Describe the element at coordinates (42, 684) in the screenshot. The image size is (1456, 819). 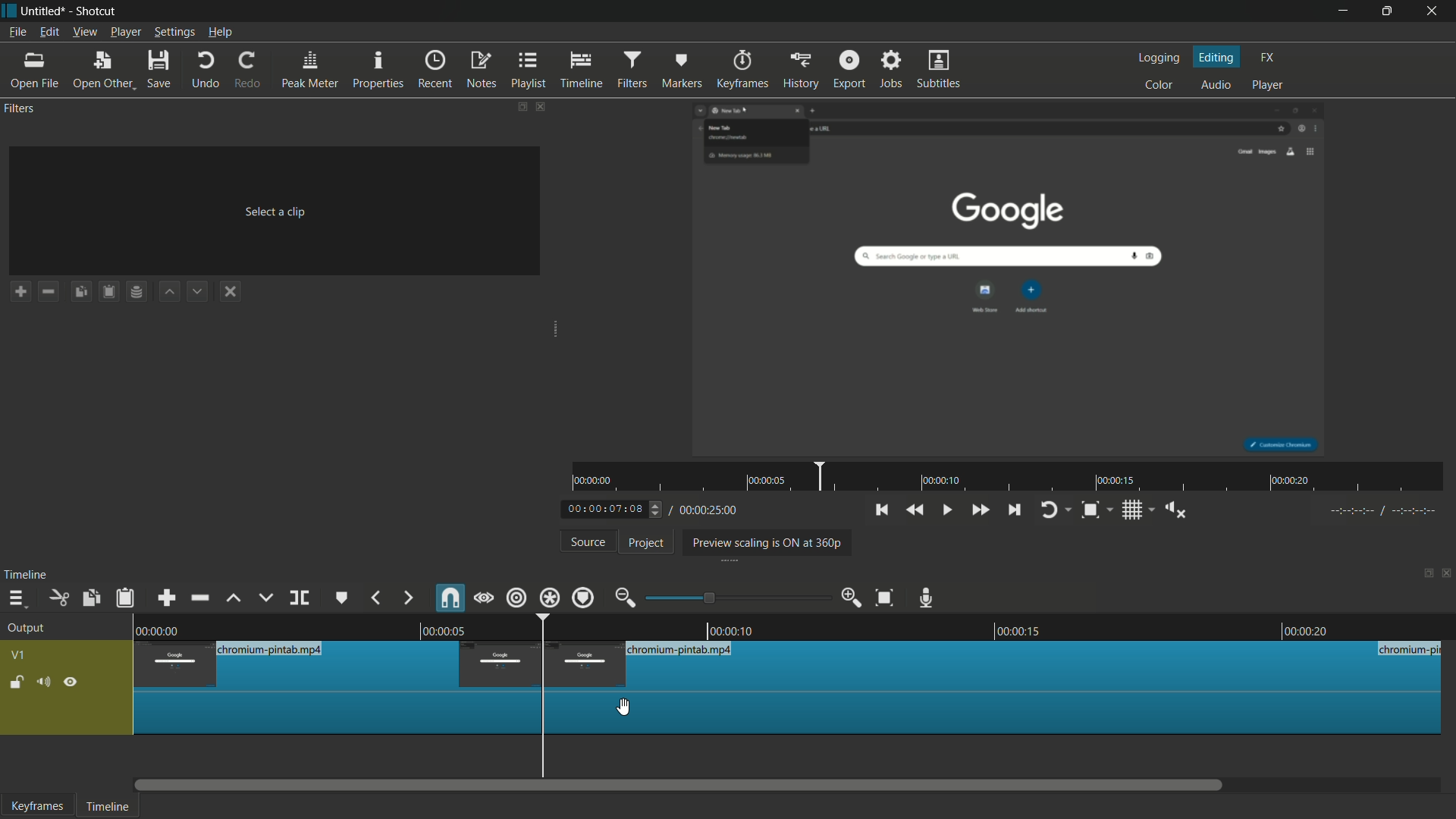
I see `mute` at that location.